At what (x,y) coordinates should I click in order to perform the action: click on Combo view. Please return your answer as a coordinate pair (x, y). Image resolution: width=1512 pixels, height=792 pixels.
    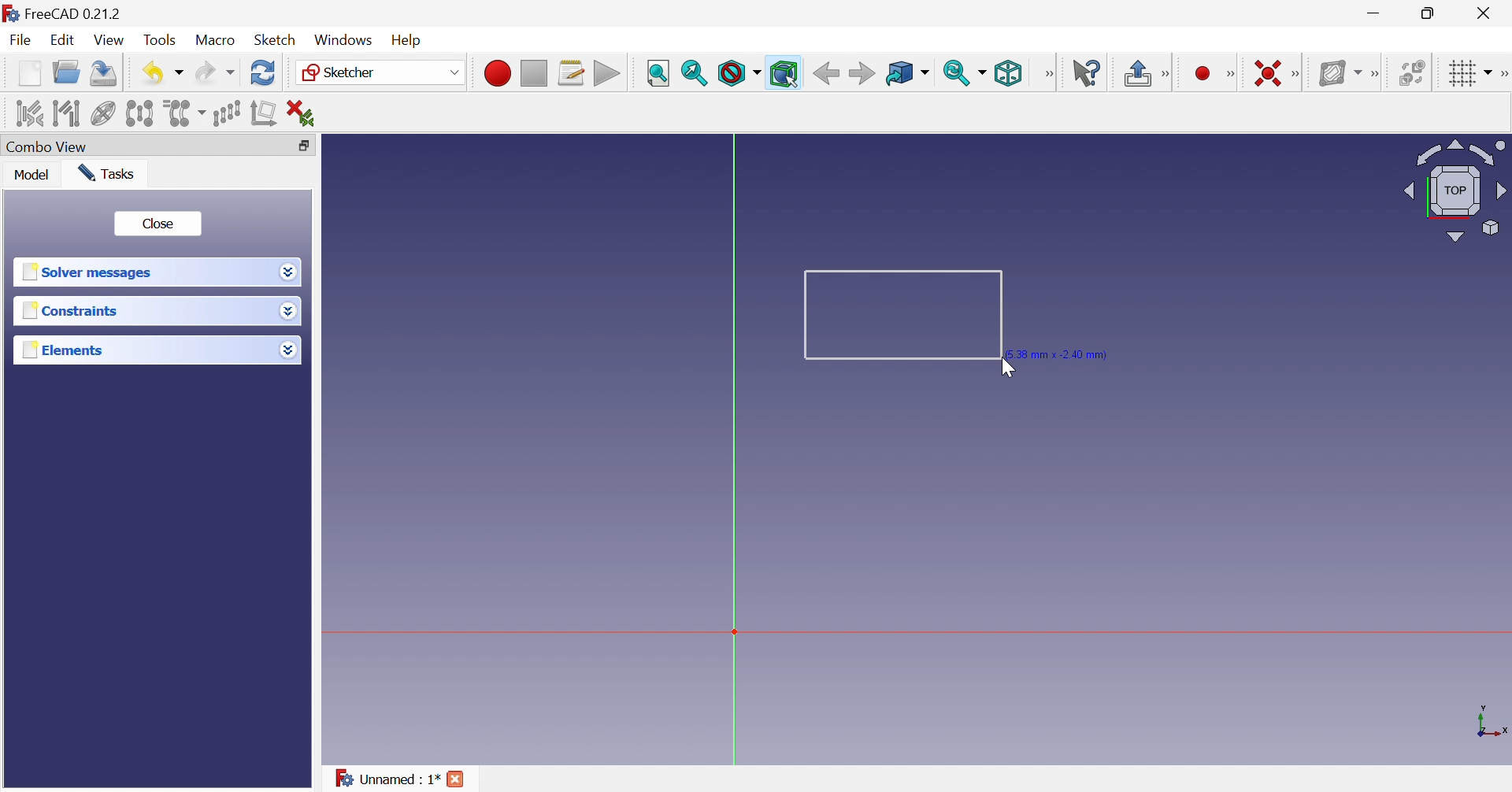
    Looking at the image, I should click on (45, 147).